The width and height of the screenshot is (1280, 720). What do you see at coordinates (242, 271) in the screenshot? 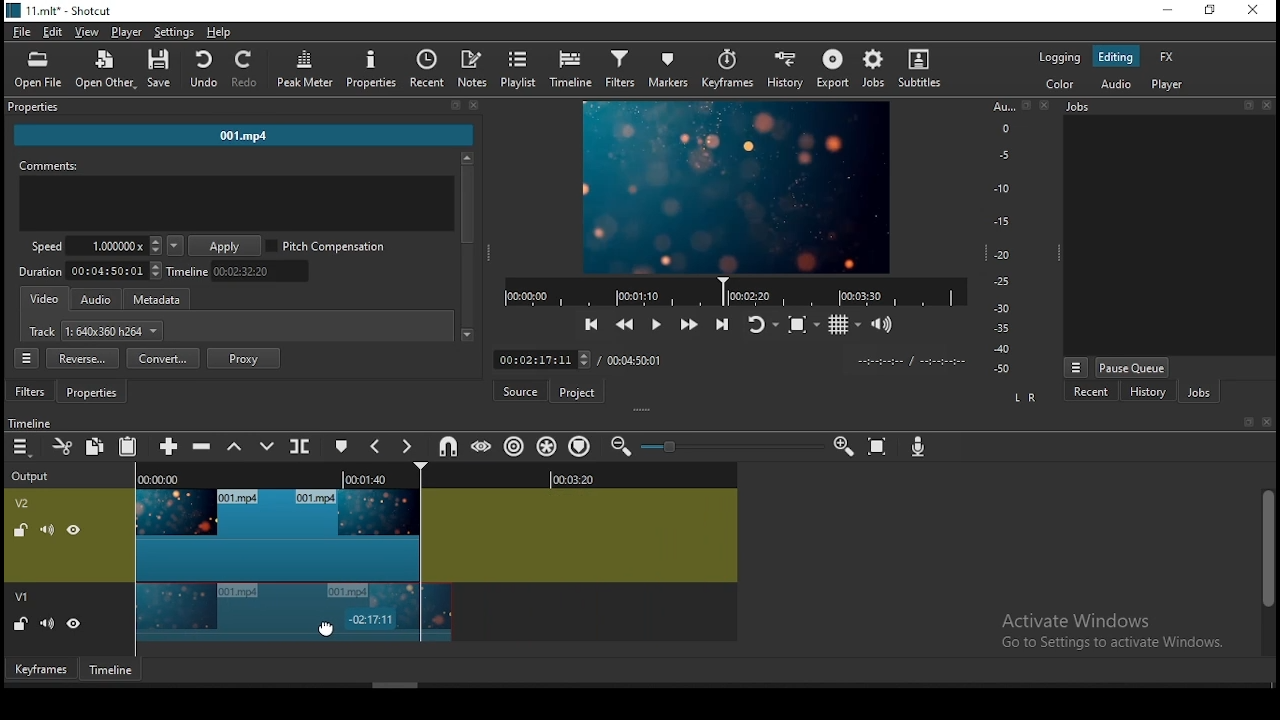
I see `timeline` at bounding box center [242, 271].